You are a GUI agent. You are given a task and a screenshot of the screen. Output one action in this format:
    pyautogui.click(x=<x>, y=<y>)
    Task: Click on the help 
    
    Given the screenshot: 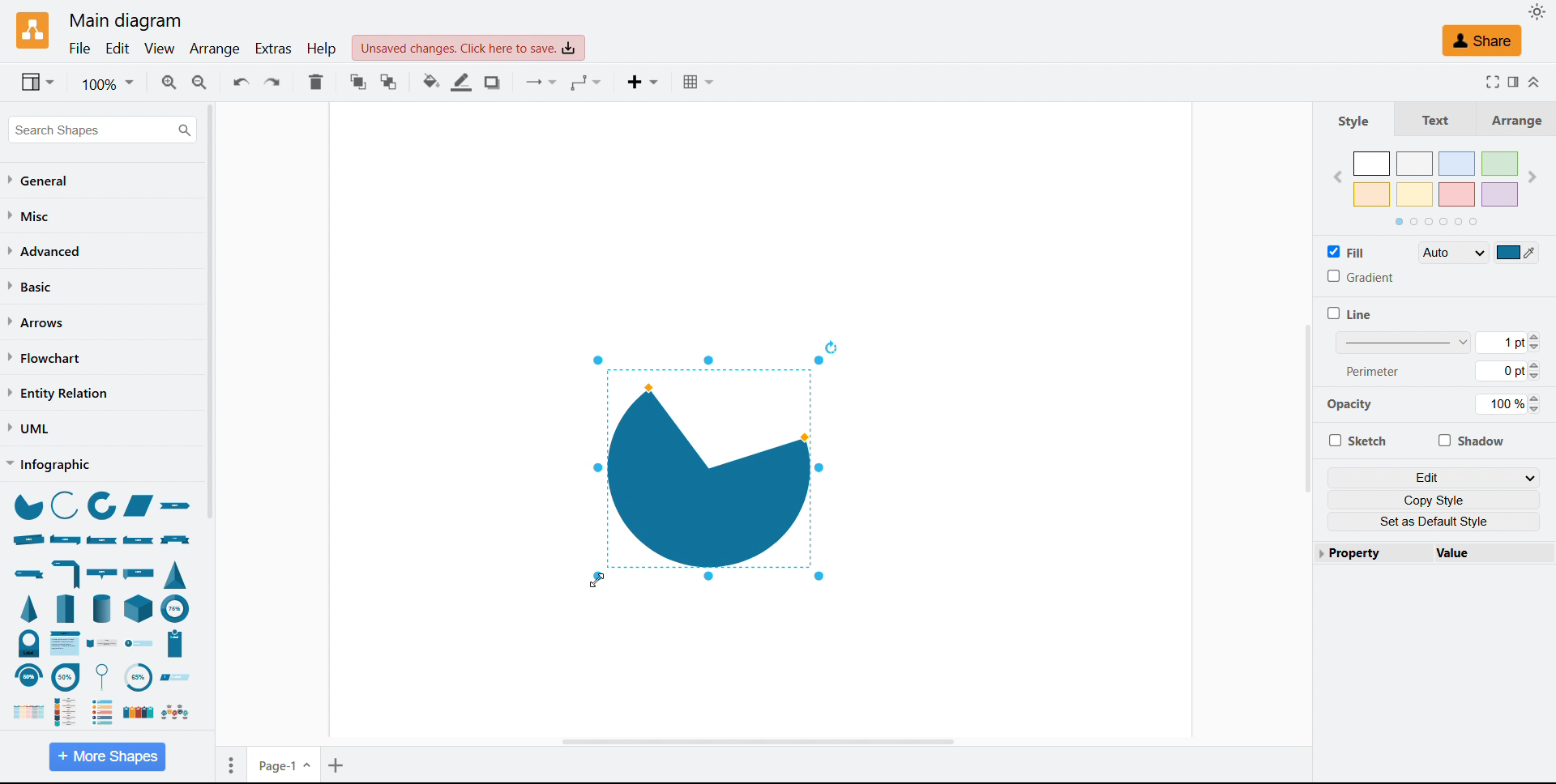 What is the action you would take?
    pyautogui.click(x=323, y=48)
    